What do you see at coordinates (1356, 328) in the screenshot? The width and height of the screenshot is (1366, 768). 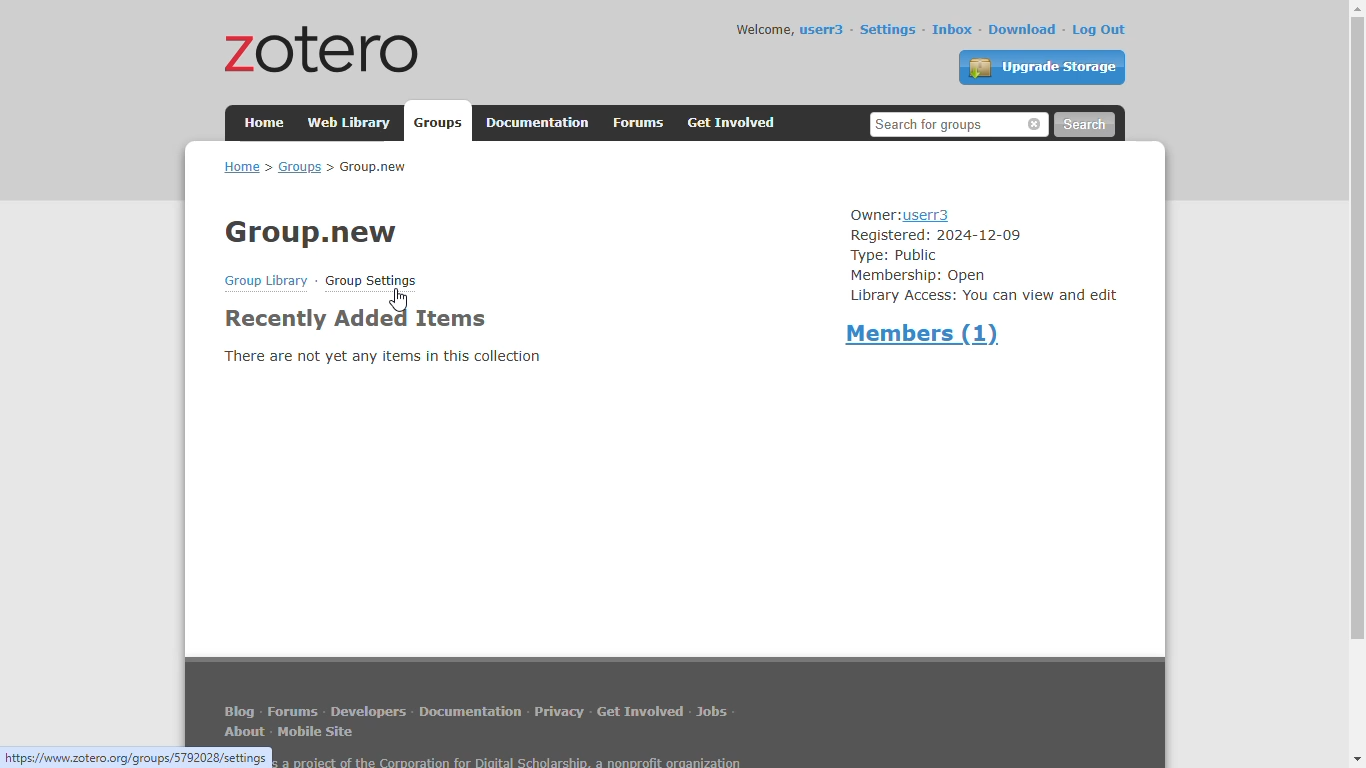 I see `vertical scroll bar` at bounding box center [1356, 328].